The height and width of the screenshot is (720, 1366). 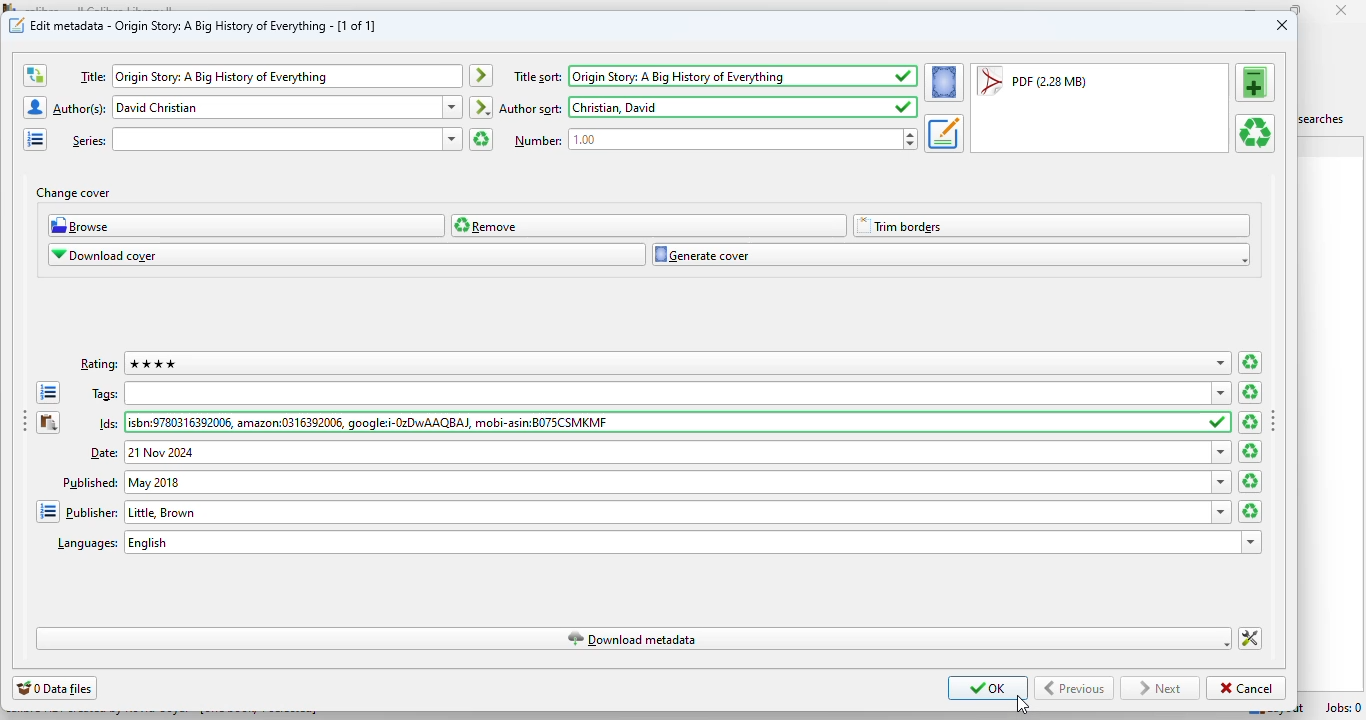 I want to click on next, so click(x=1160, y=689).